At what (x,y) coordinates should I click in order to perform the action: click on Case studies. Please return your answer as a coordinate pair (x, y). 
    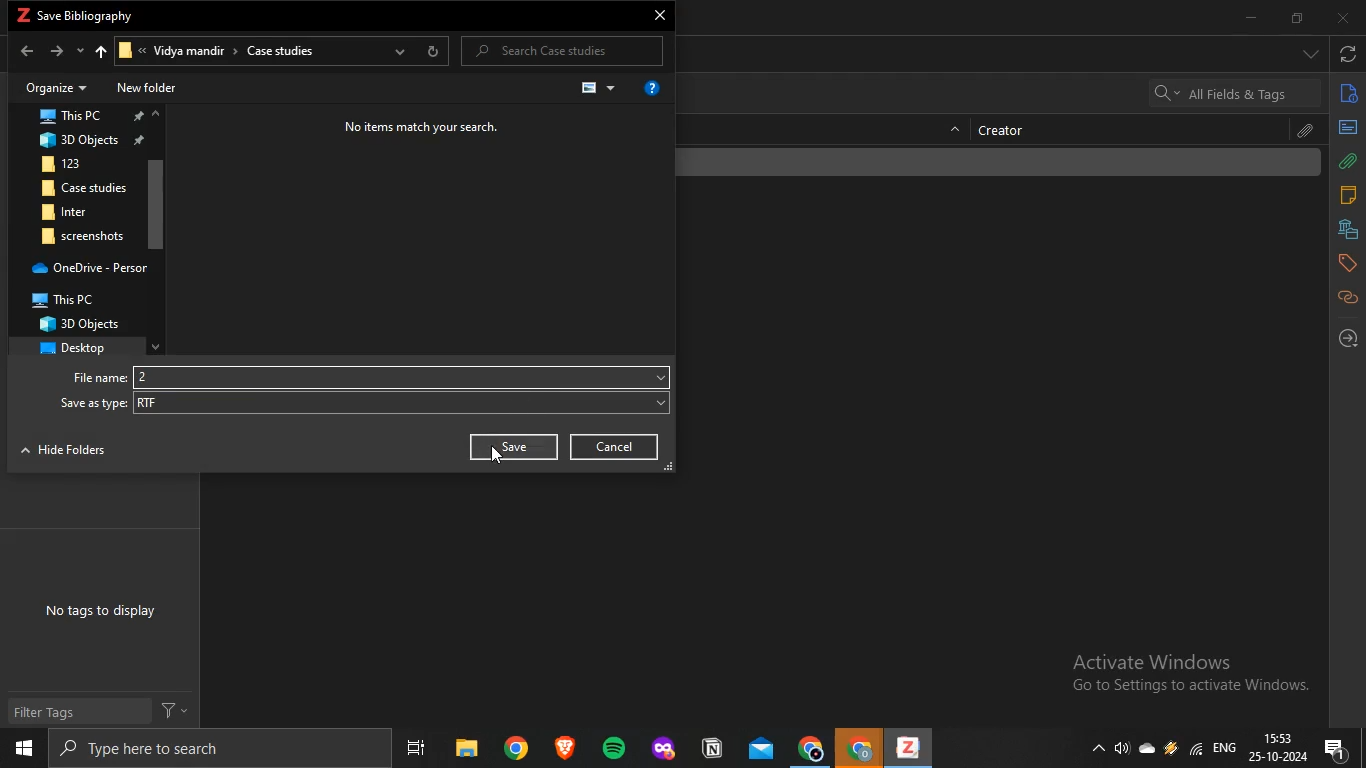
    Looking at the image, I should click on (88, 188).